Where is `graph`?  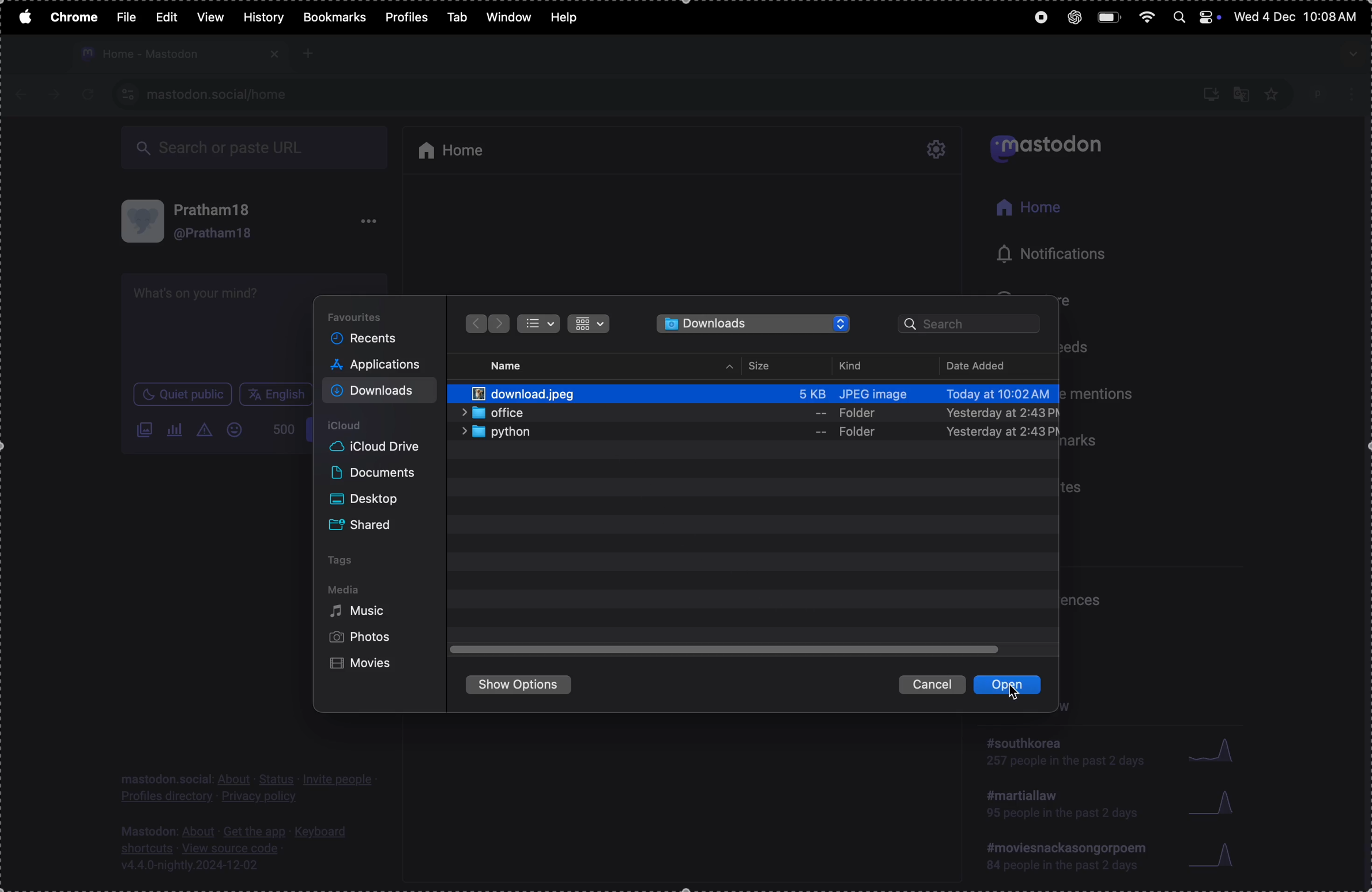
graph is located at coordinates (1215, 803).